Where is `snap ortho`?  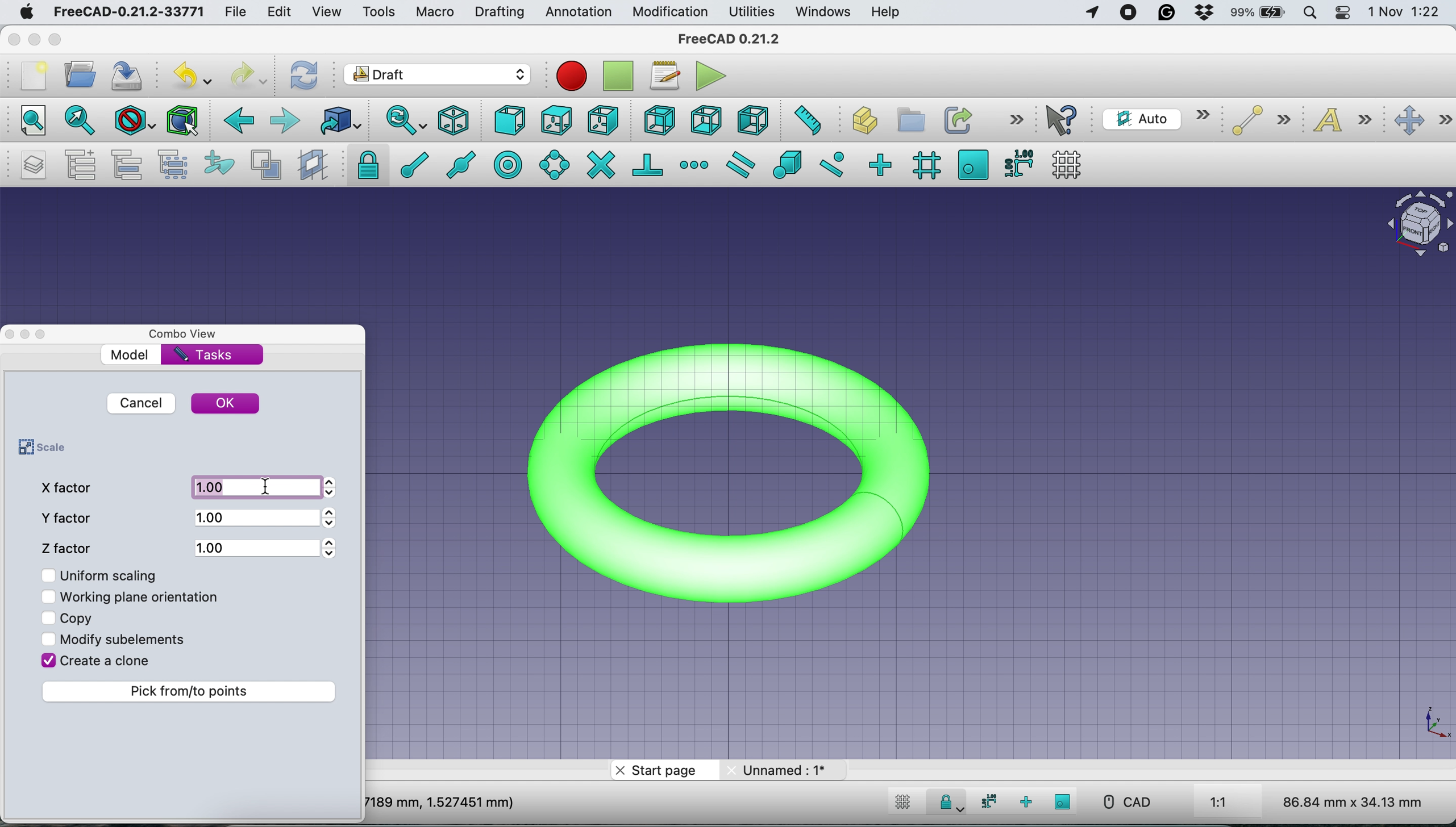
snap ortho is located at coordinates (1024, 801).